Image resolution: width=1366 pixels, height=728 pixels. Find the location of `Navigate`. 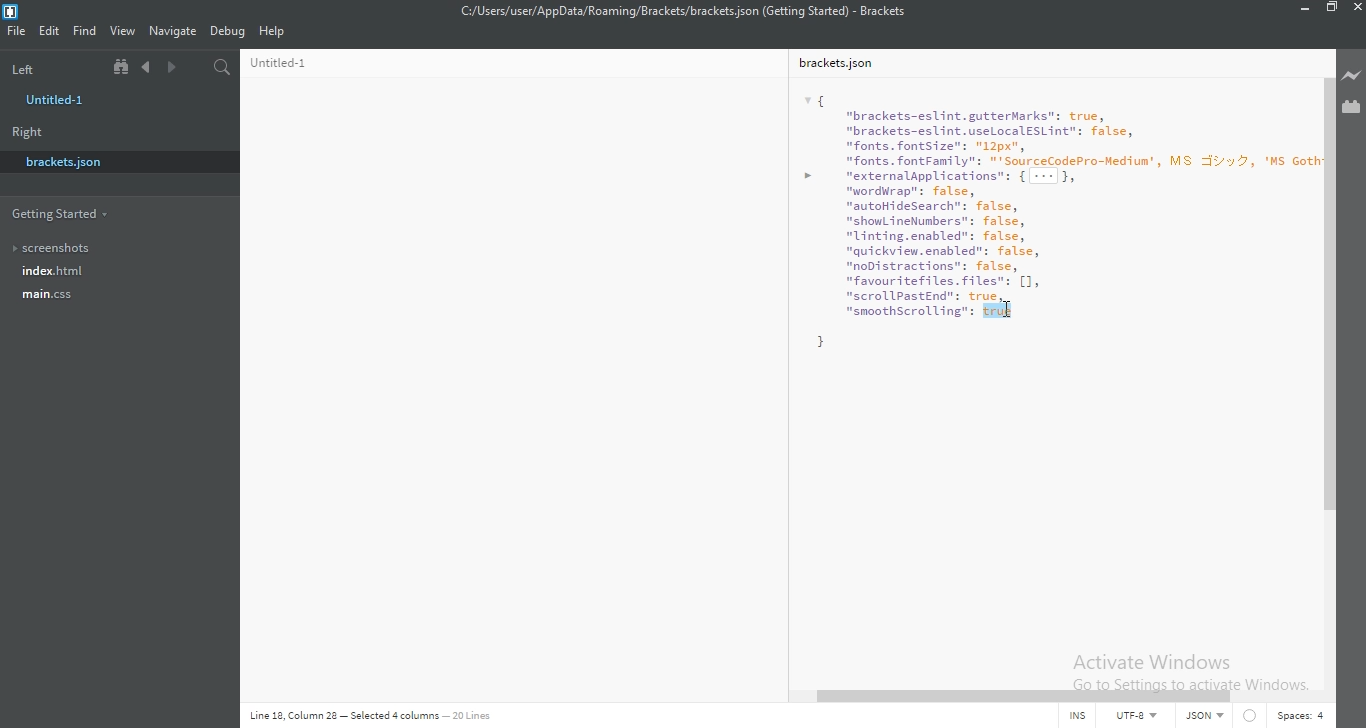

Navigate is located at coordinates (174, 30).